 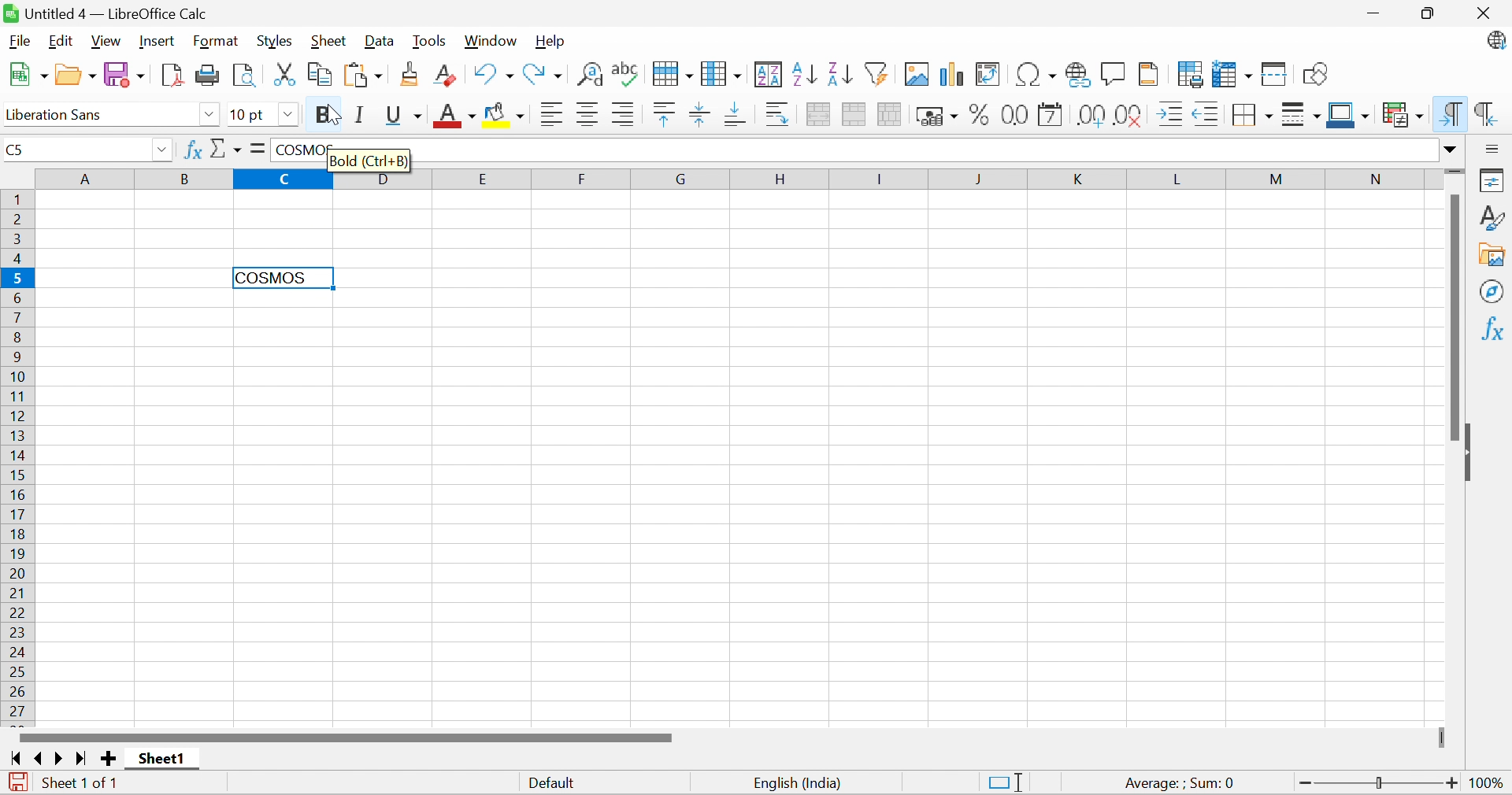 What do you see at coordinates (1486, 14) in the screenshot?
I see `Close` at bounding box center [1486, 14].